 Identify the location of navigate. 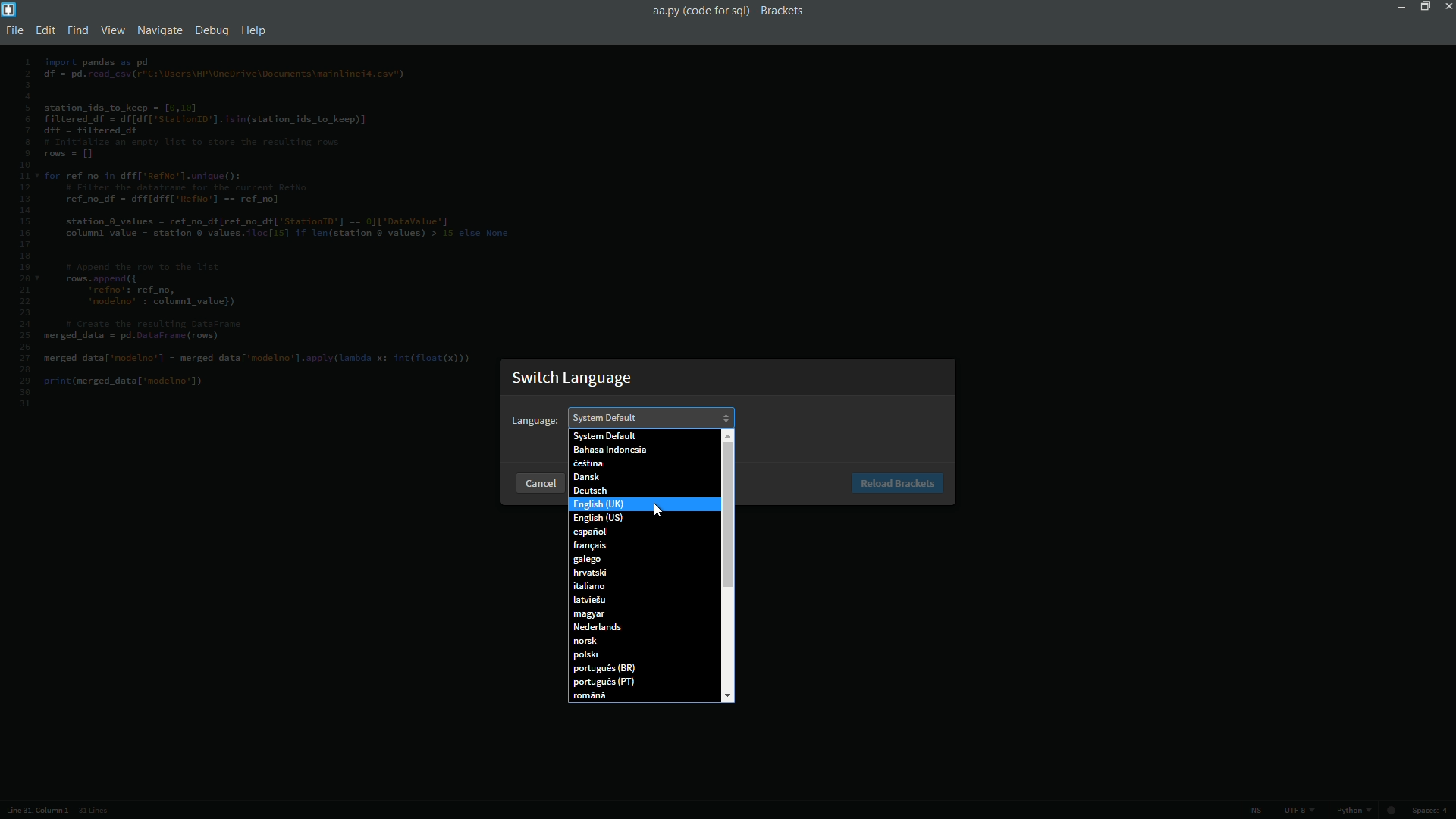
(157, 30).